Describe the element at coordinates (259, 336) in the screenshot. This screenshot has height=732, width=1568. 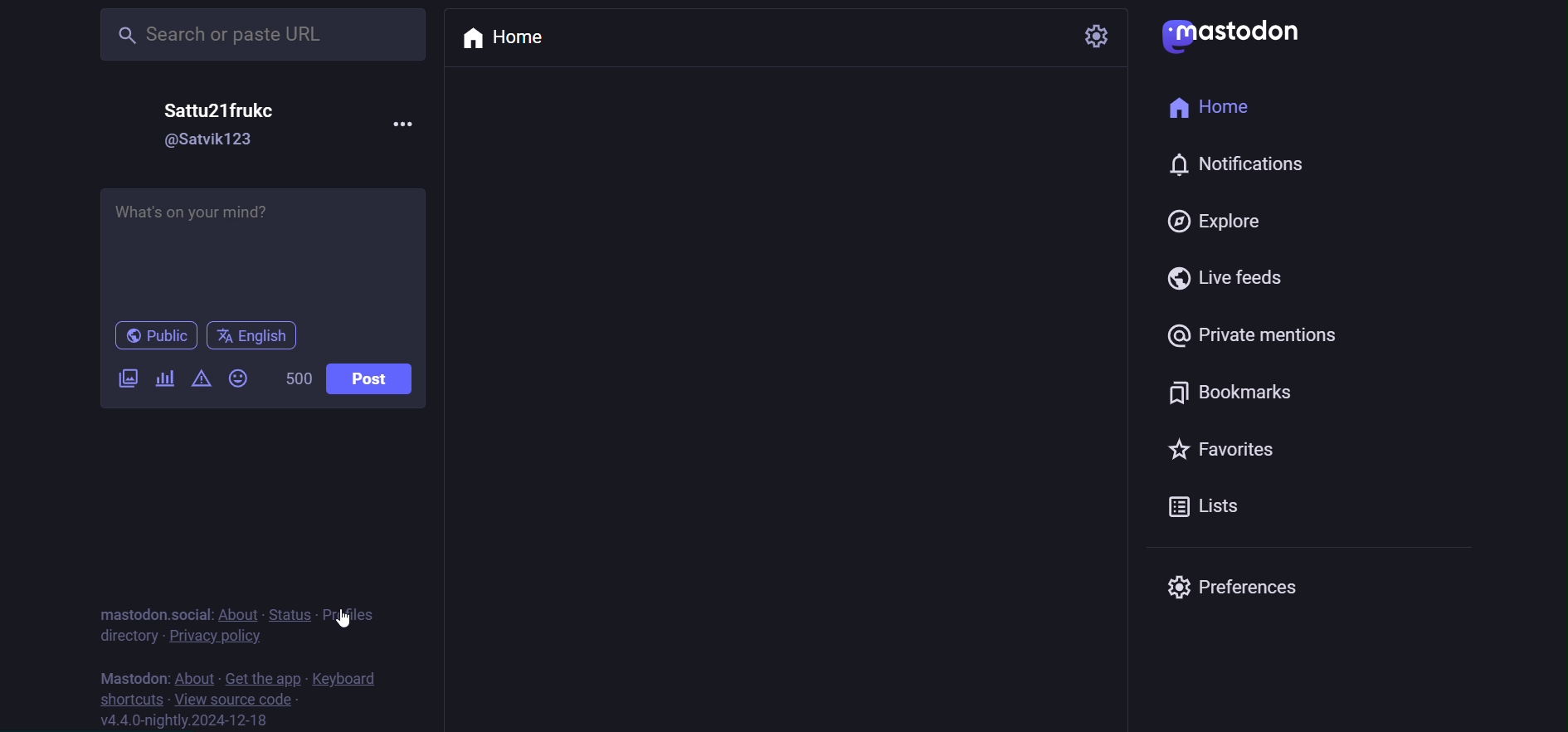
I see `english` at that location.